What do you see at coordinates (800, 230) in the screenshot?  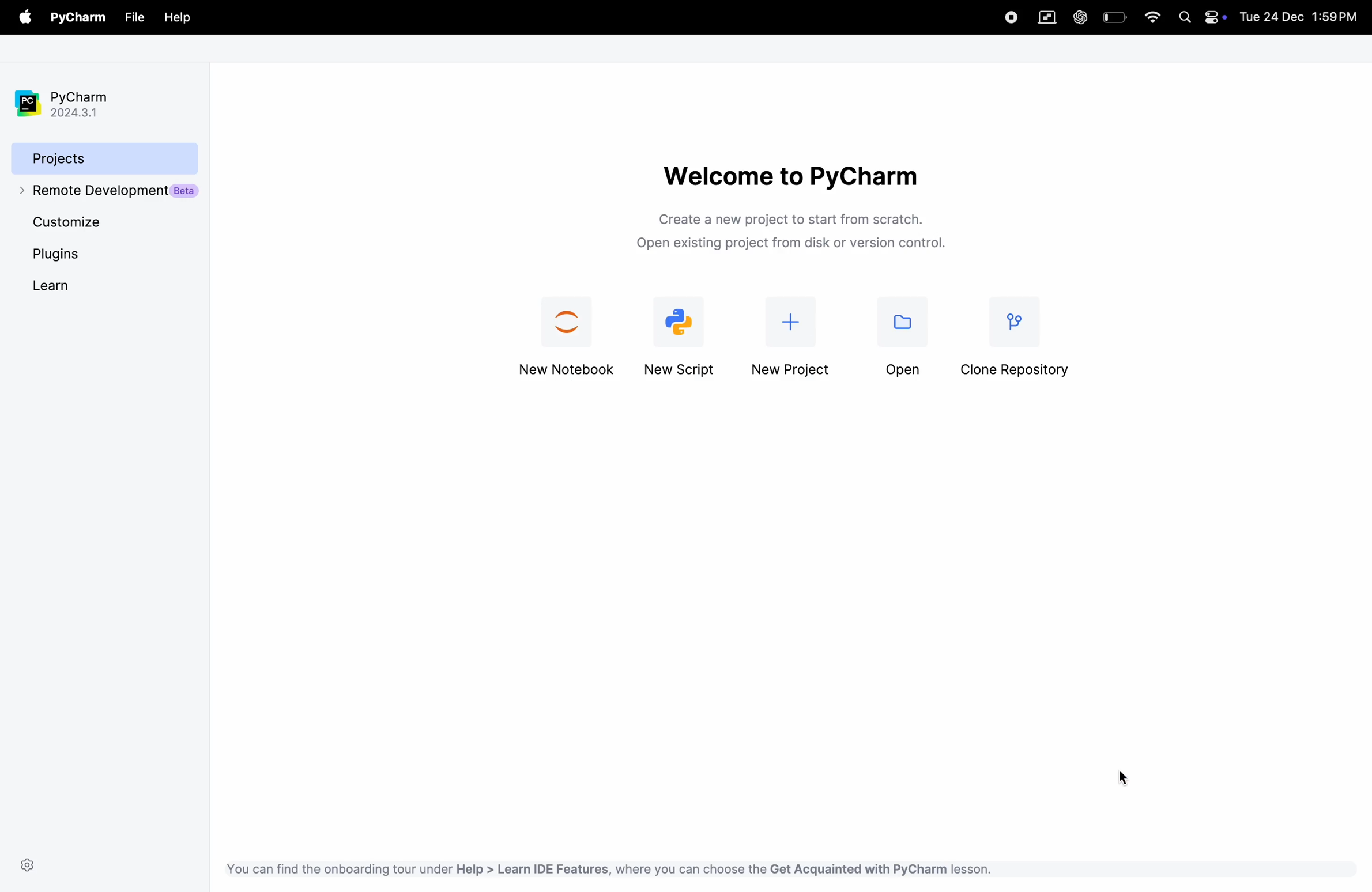 I see `Create a new project to start from scratch.
Open existing project from disk or version control.` at bounding box center [800, 230].